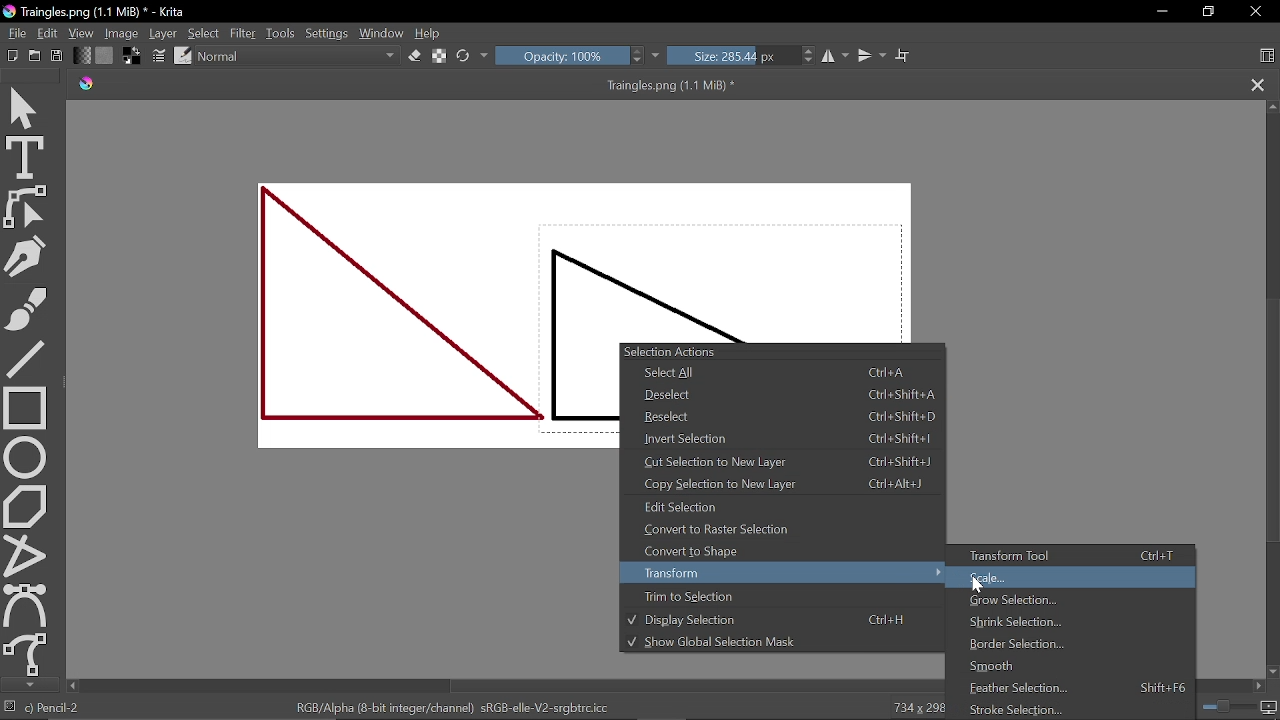  What do you see at coordinates (1074, 688) in the screenshot?
I see `Frontier selection` at bounding box center [1074, 688].